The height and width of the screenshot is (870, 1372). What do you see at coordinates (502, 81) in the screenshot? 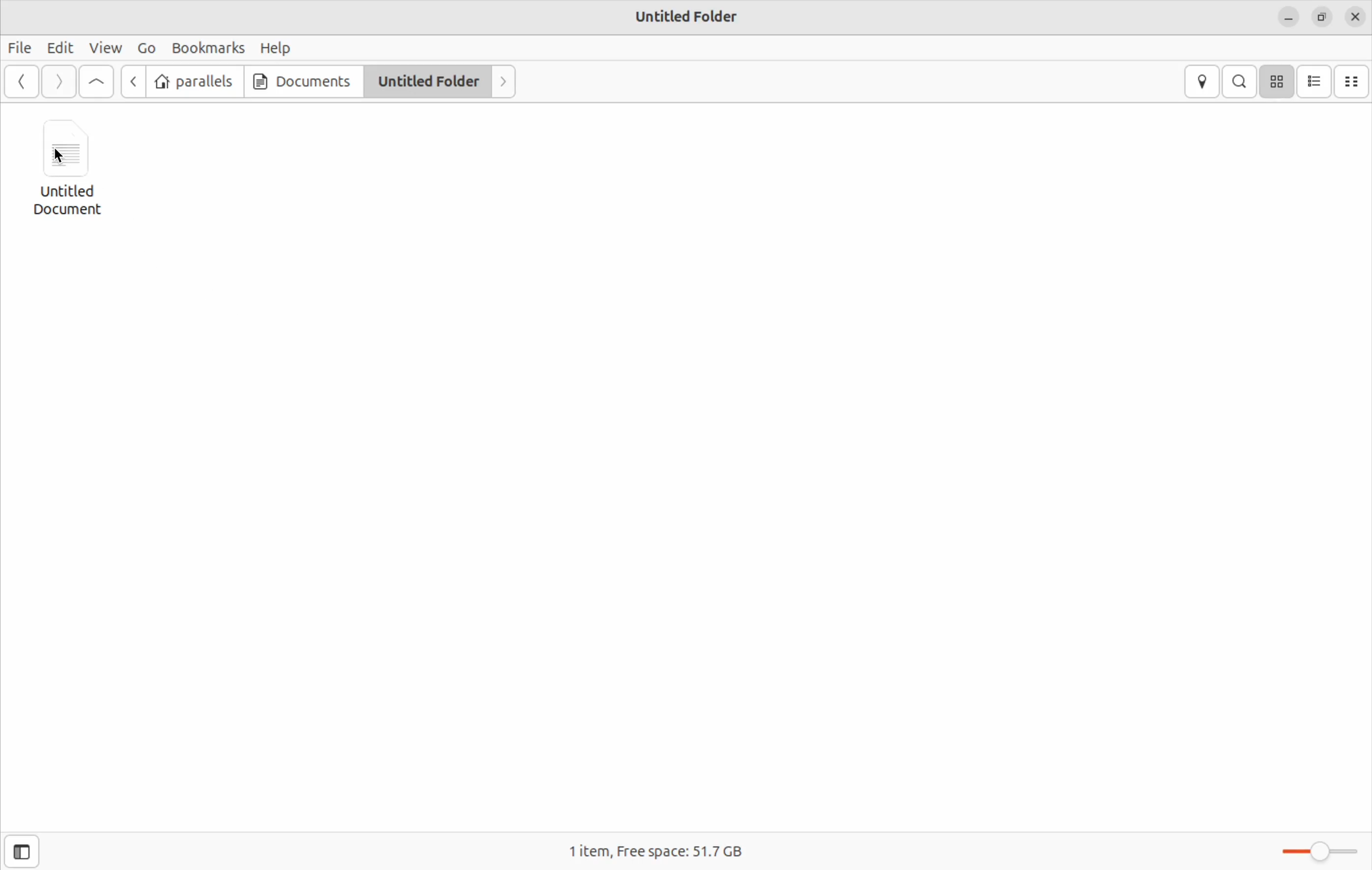
I see `Next` at bounding box center [502, 81].